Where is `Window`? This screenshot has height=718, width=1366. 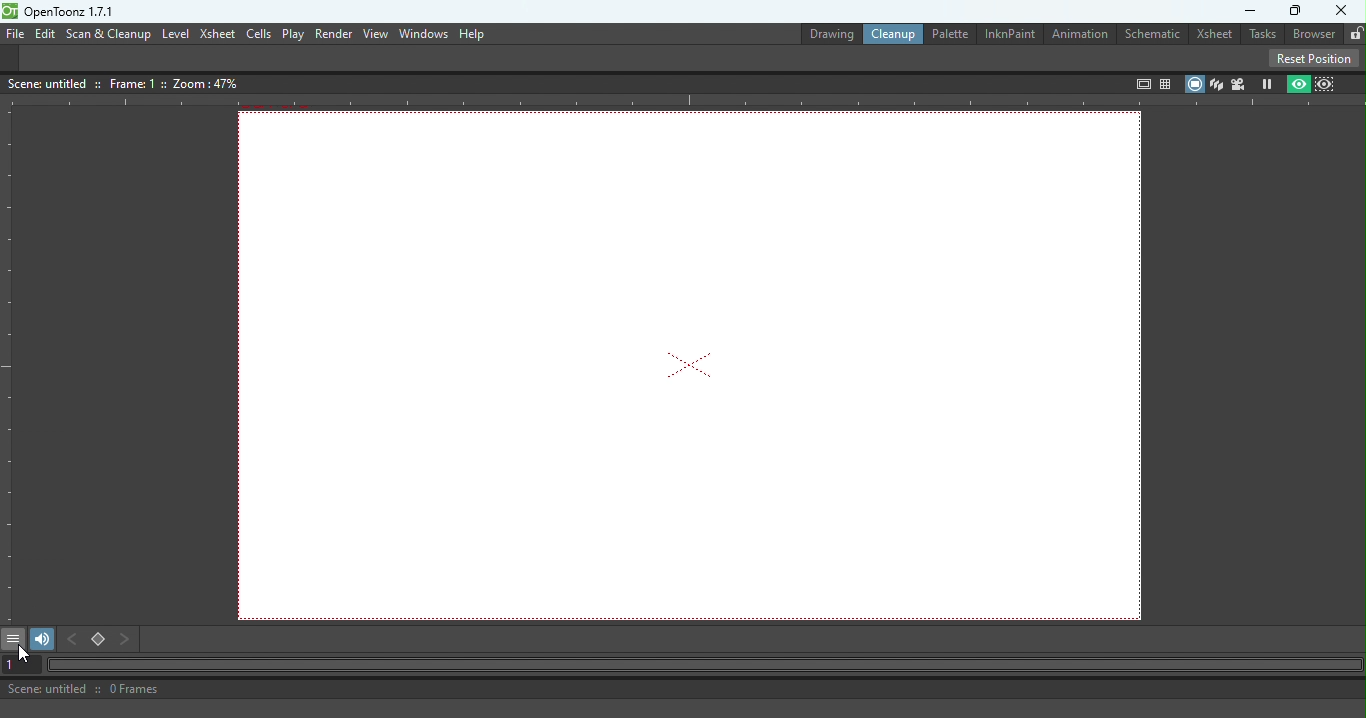 Window is located at coordinates (421, 34).